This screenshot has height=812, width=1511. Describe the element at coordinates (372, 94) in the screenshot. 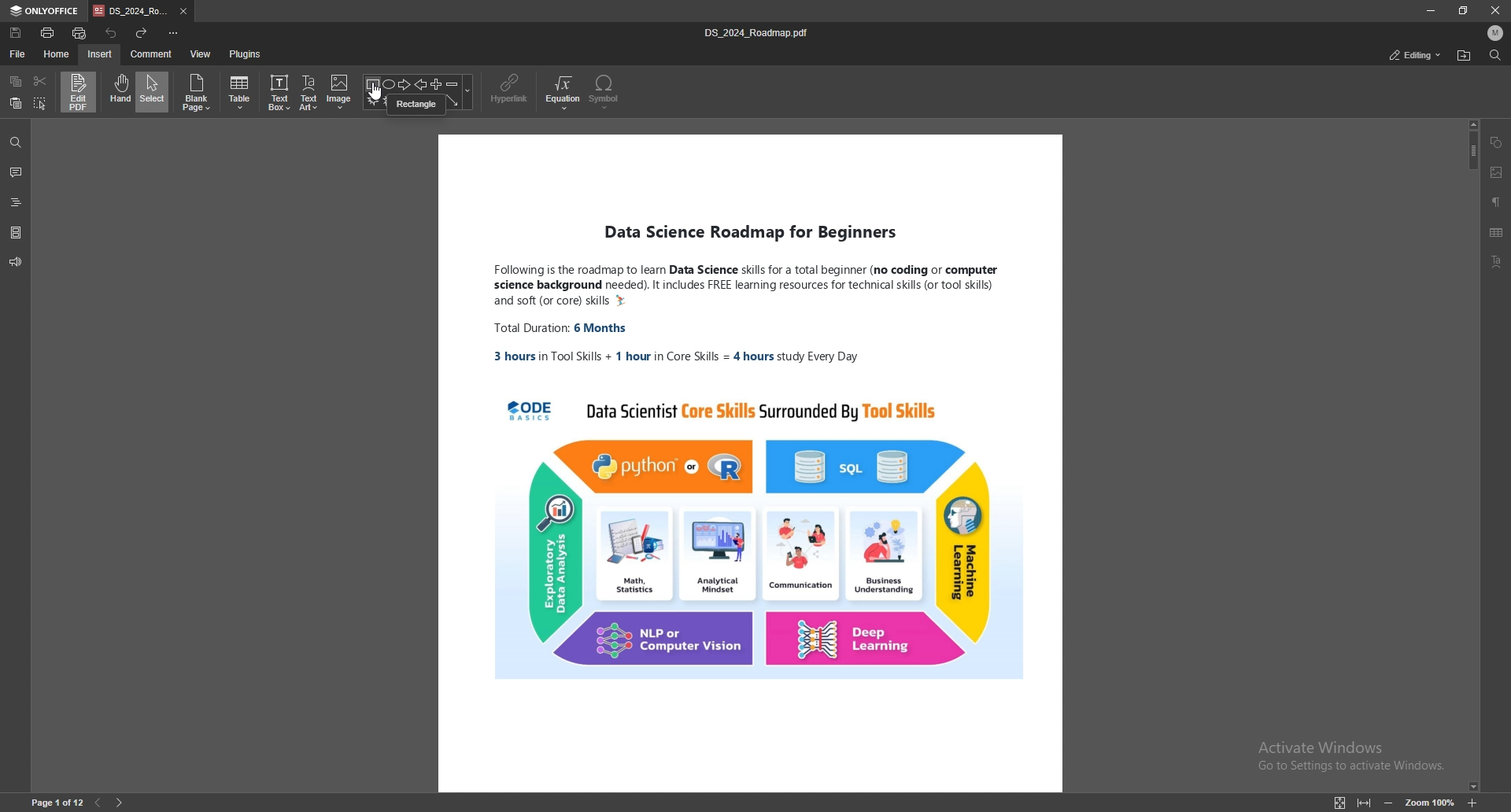

I see `cursor` at that location.